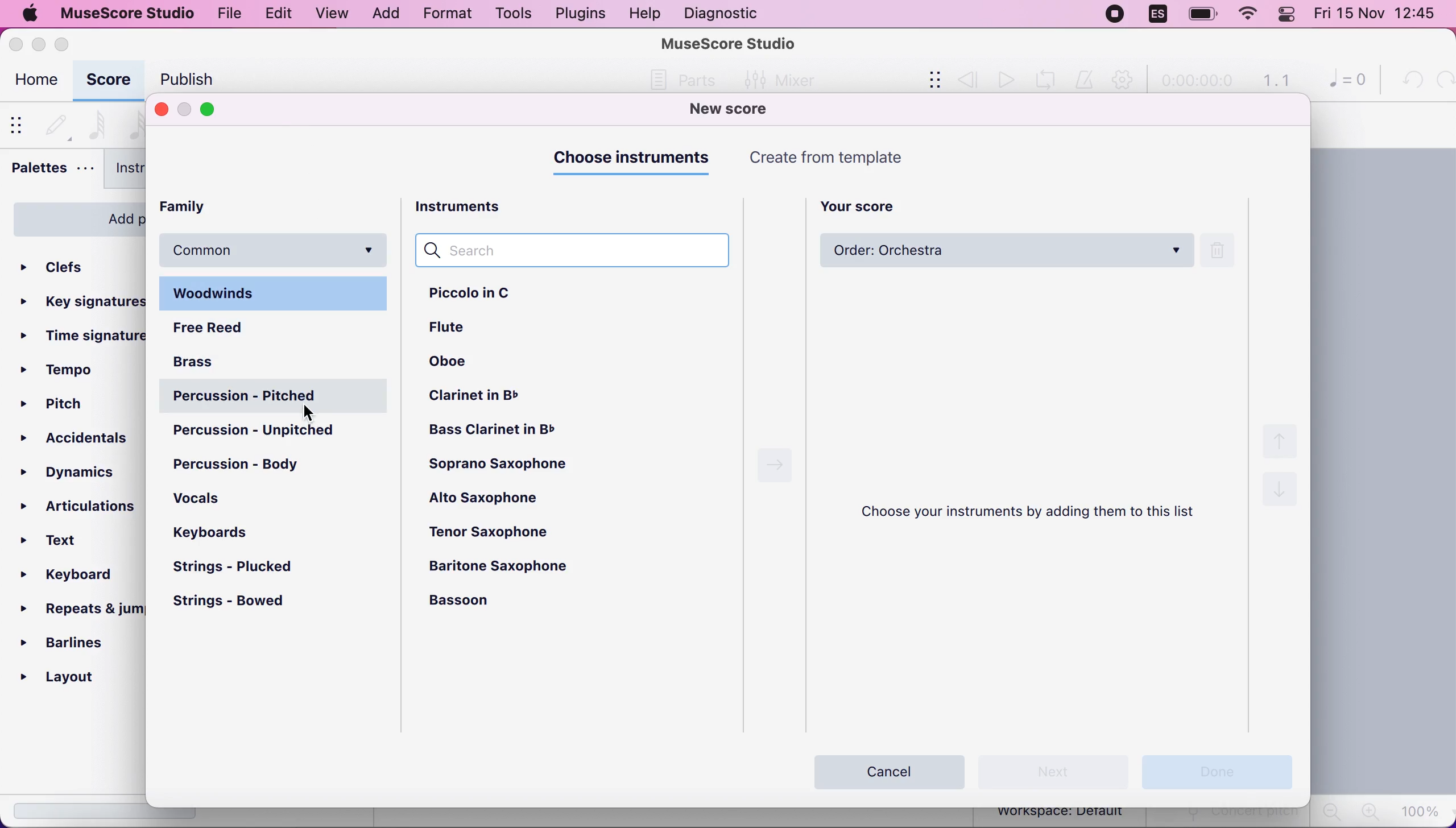  What do you see at coordinates (385, 14) in the screenshot?
I see `add` at bounding box center [385, 14].